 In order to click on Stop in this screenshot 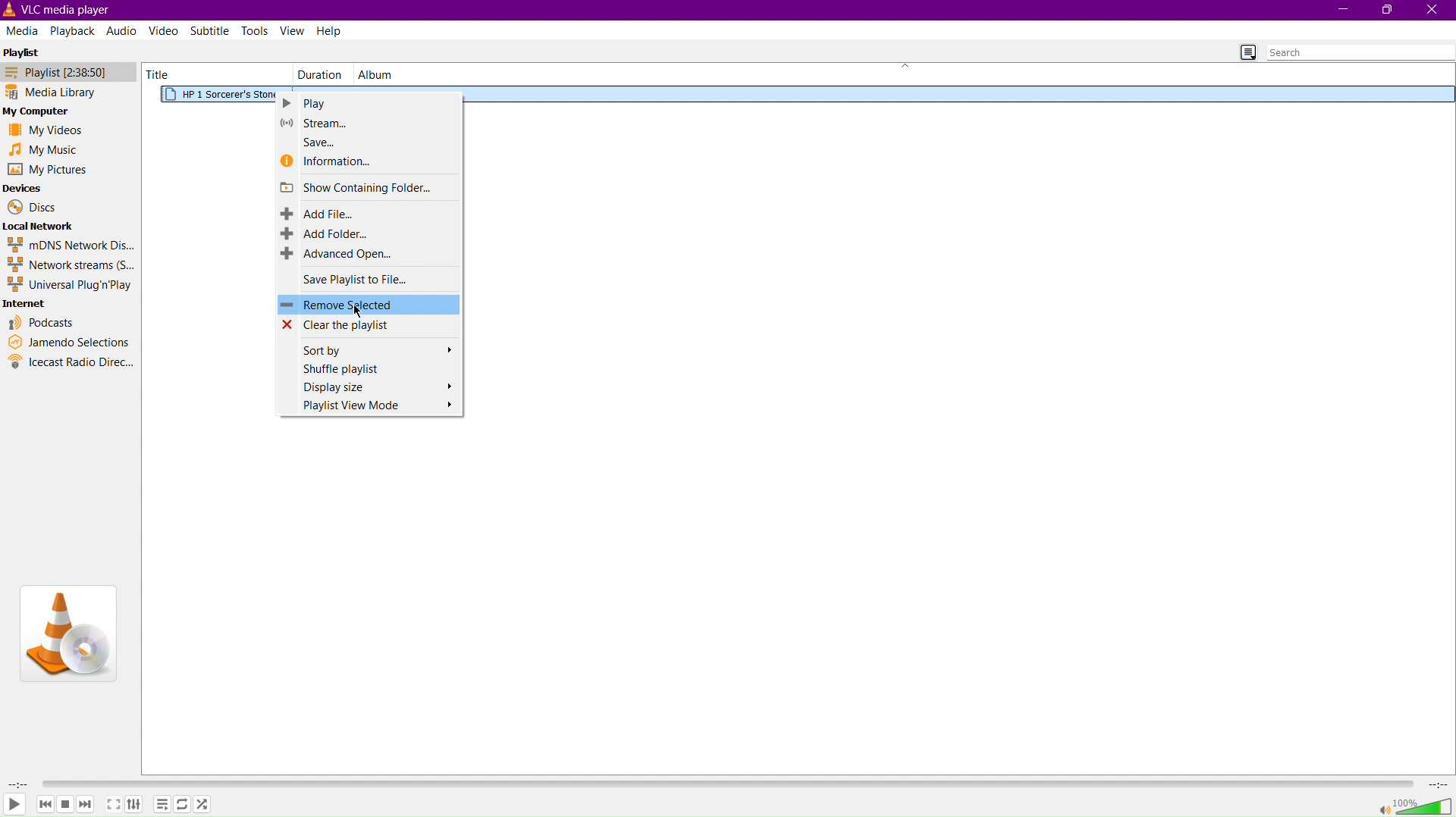, I will do `click(64, 803)`.